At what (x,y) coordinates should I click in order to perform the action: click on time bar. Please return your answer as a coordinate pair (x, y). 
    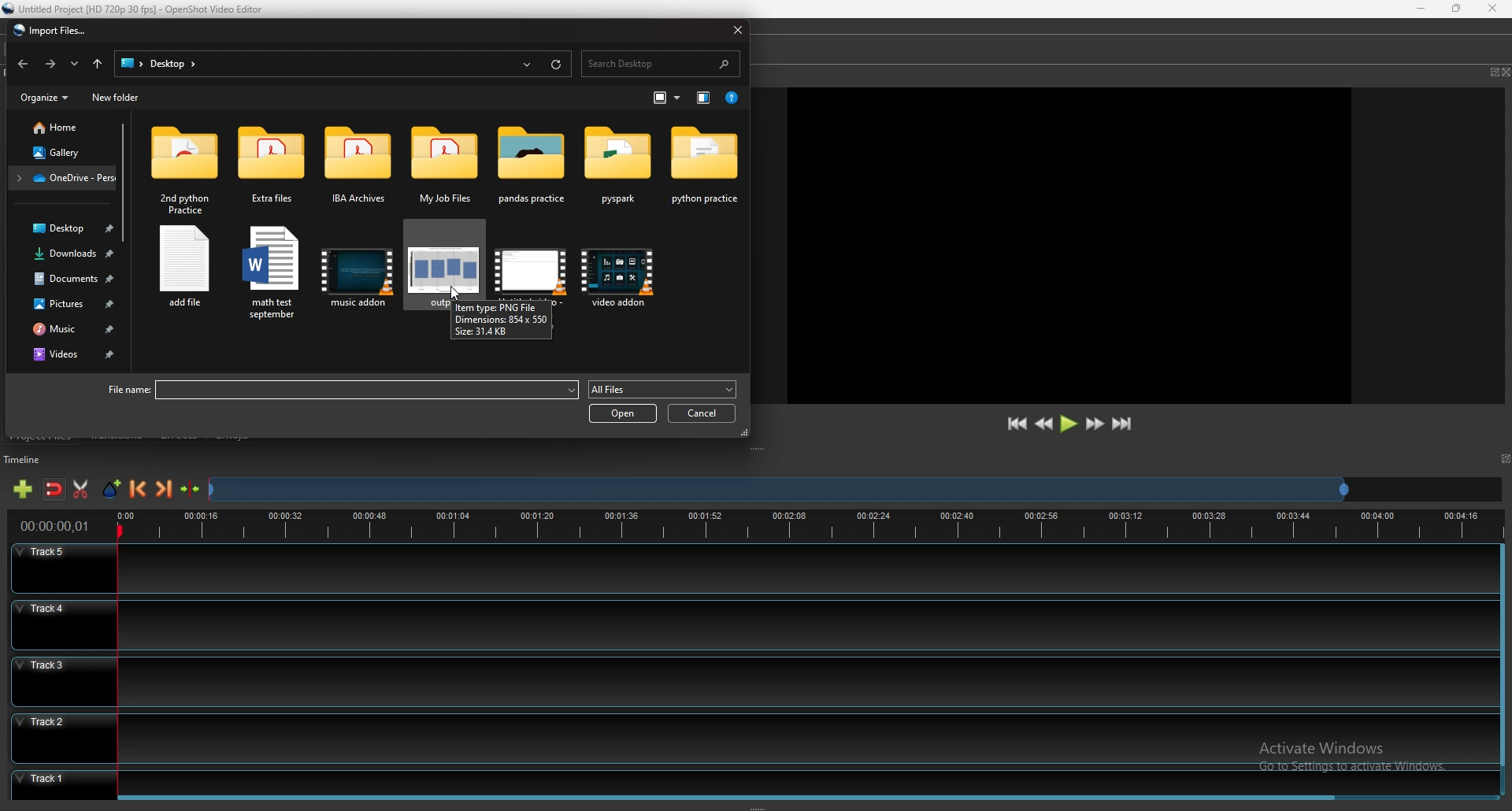
    Looking at the image, I should click on (810, 525).